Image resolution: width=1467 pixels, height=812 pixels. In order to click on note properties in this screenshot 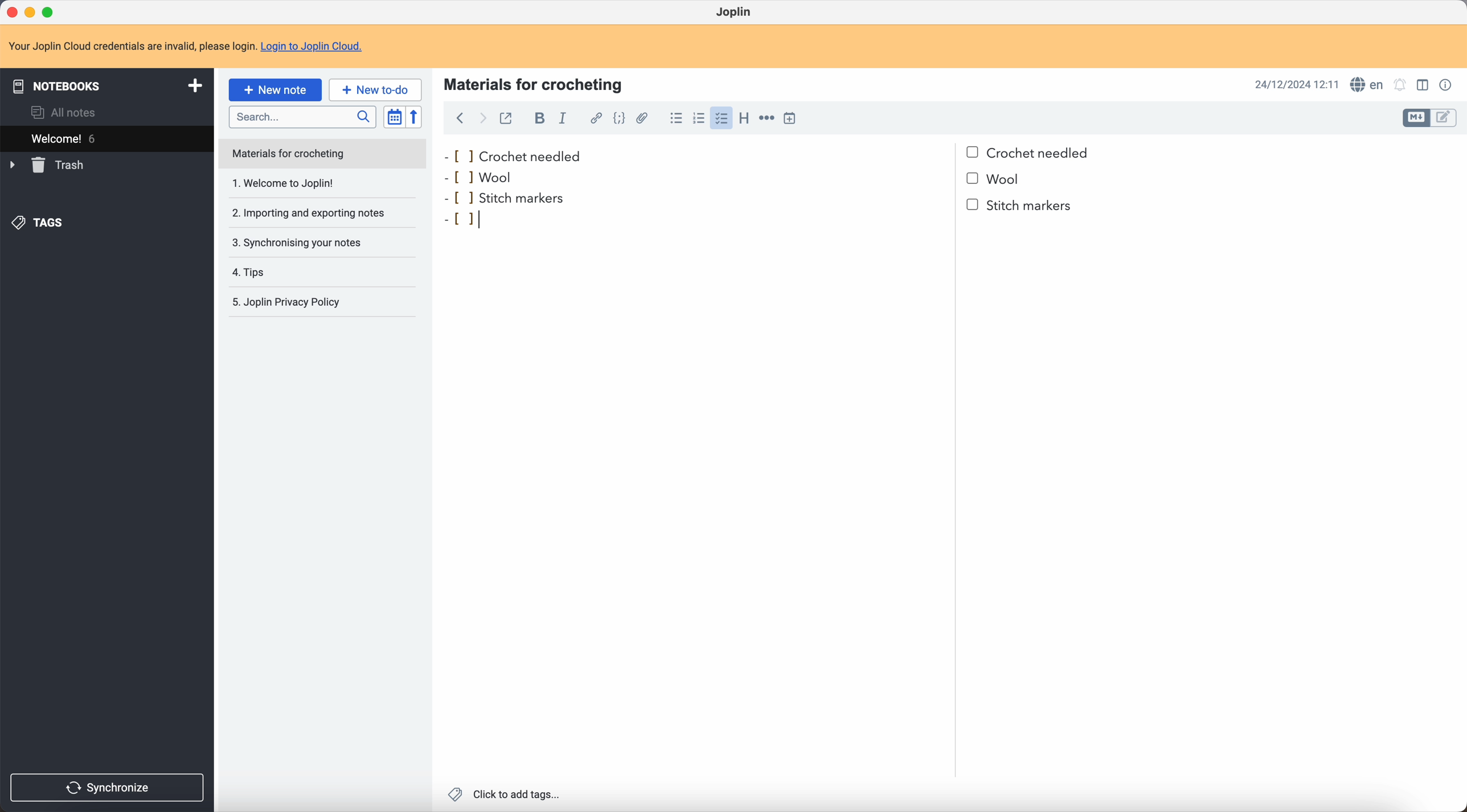, I will do `click(1447, 85)`.